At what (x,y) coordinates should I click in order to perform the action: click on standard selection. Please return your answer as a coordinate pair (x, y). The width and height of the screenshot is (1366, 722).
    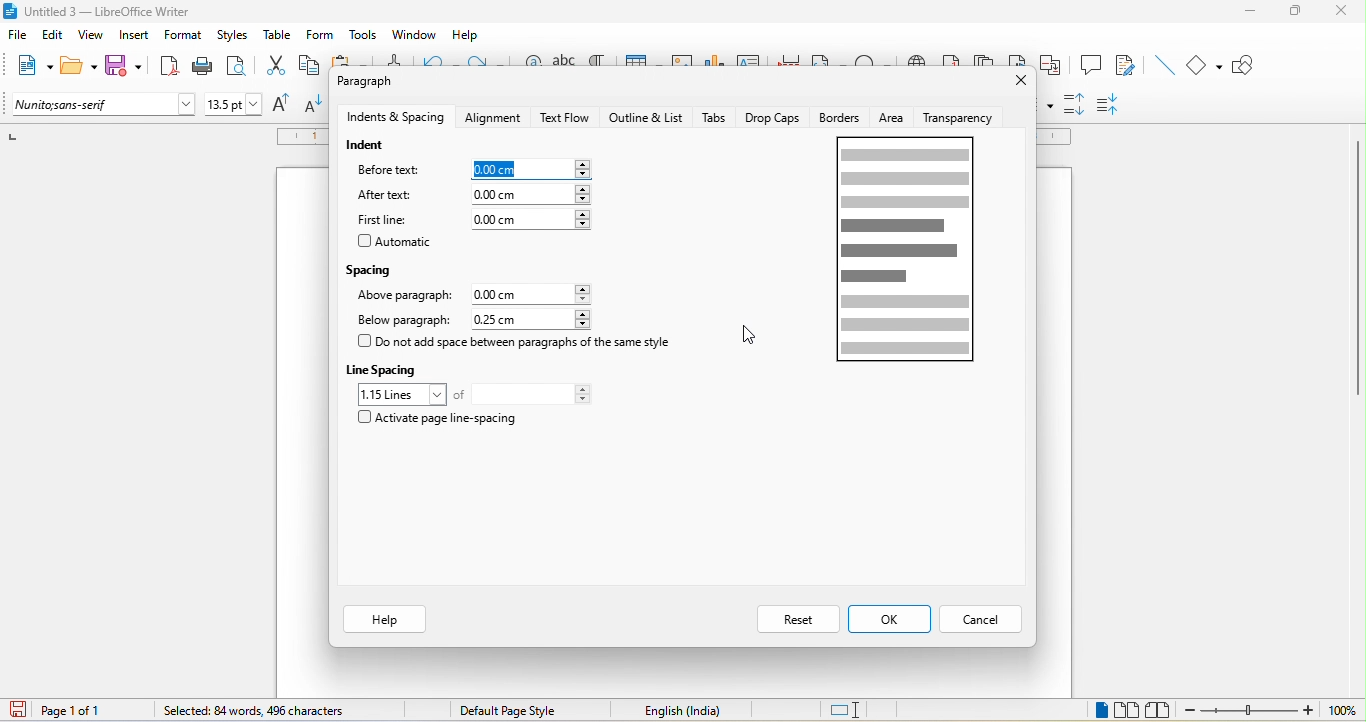
    Looking at the image, I should click on (847, 711).